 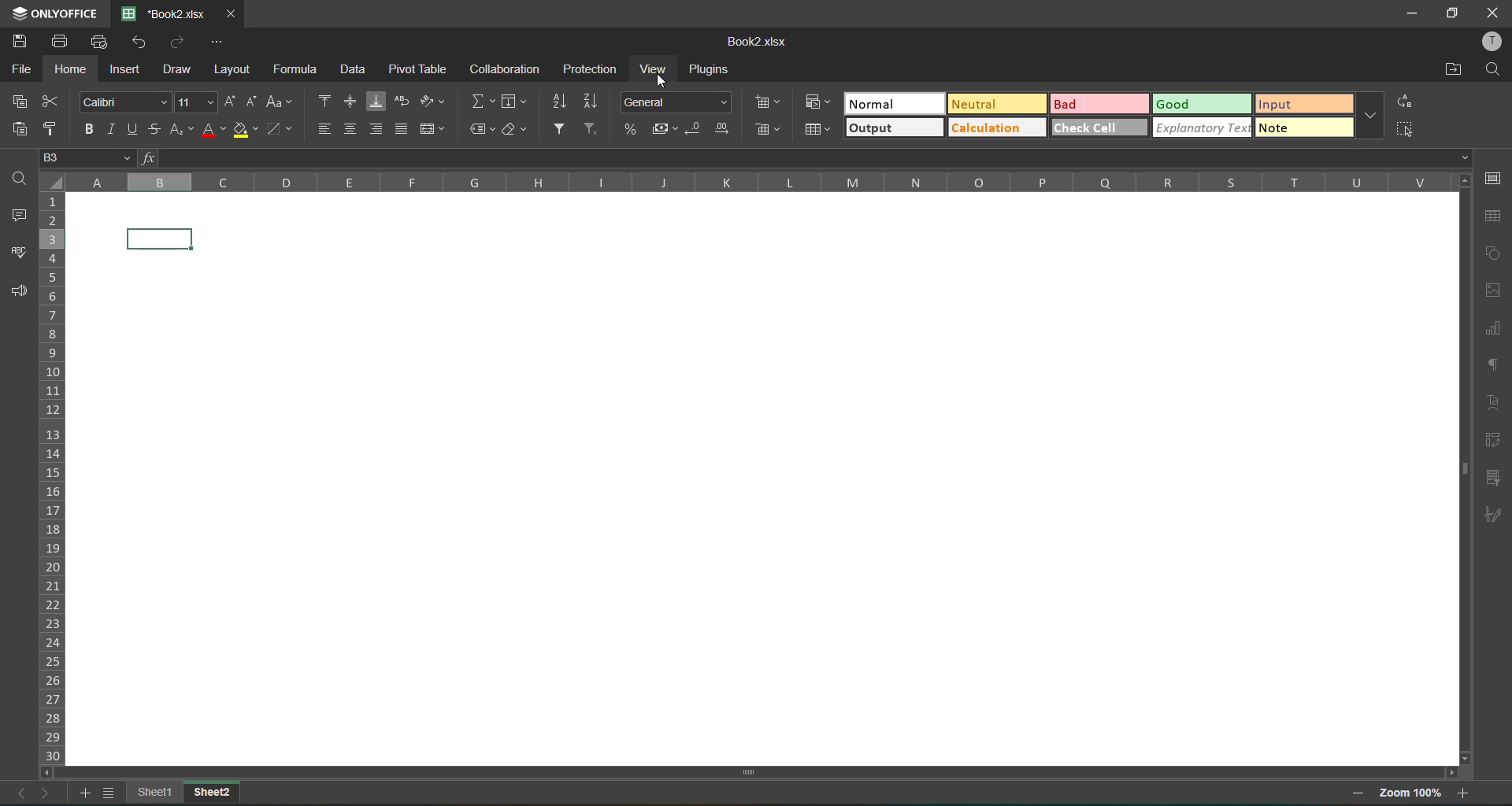 I want to click on text, so click(x=1490, y=402).